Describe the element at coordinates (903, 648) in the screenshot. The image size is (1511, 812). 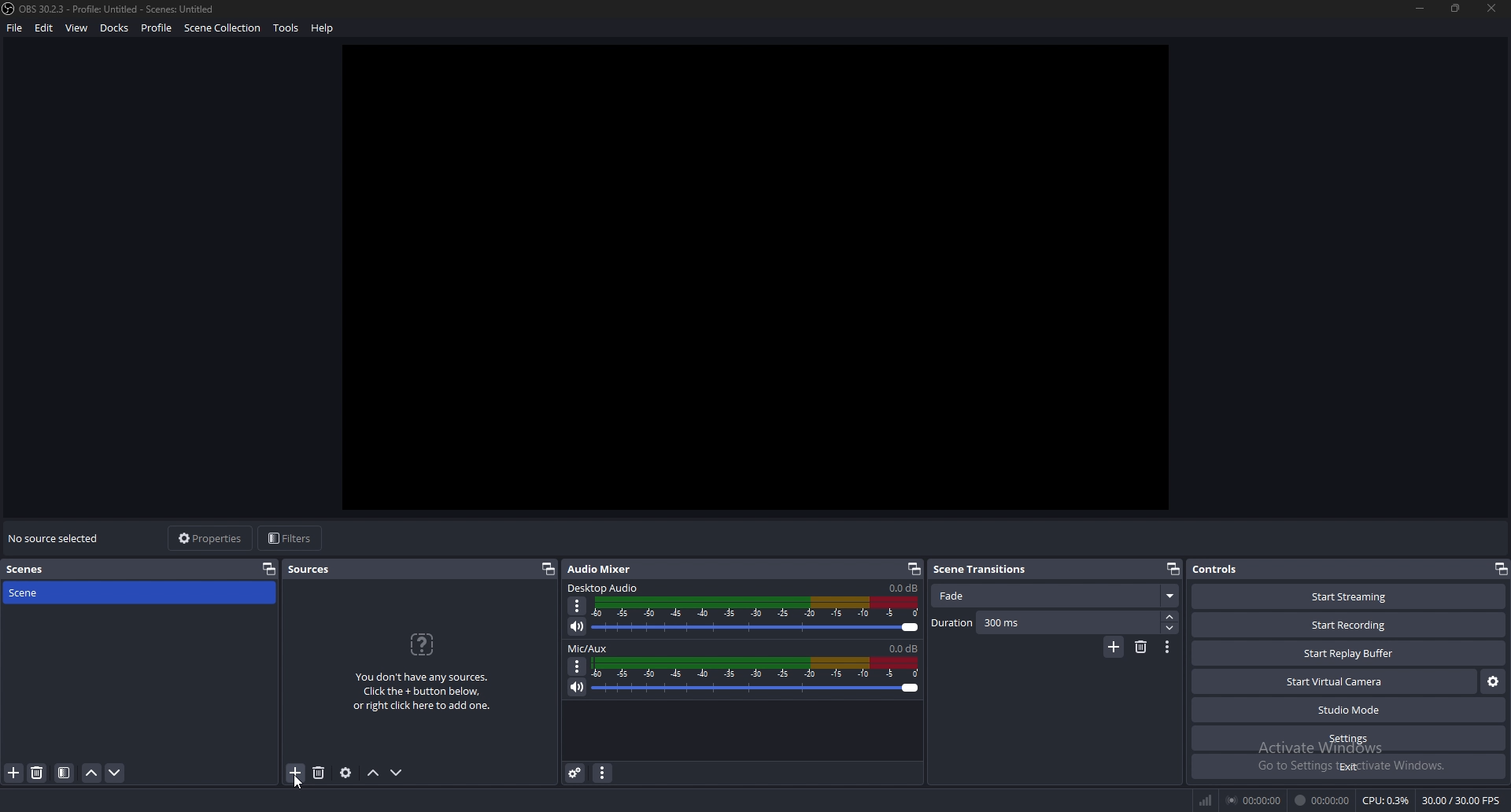
I see `volume level` at that location.